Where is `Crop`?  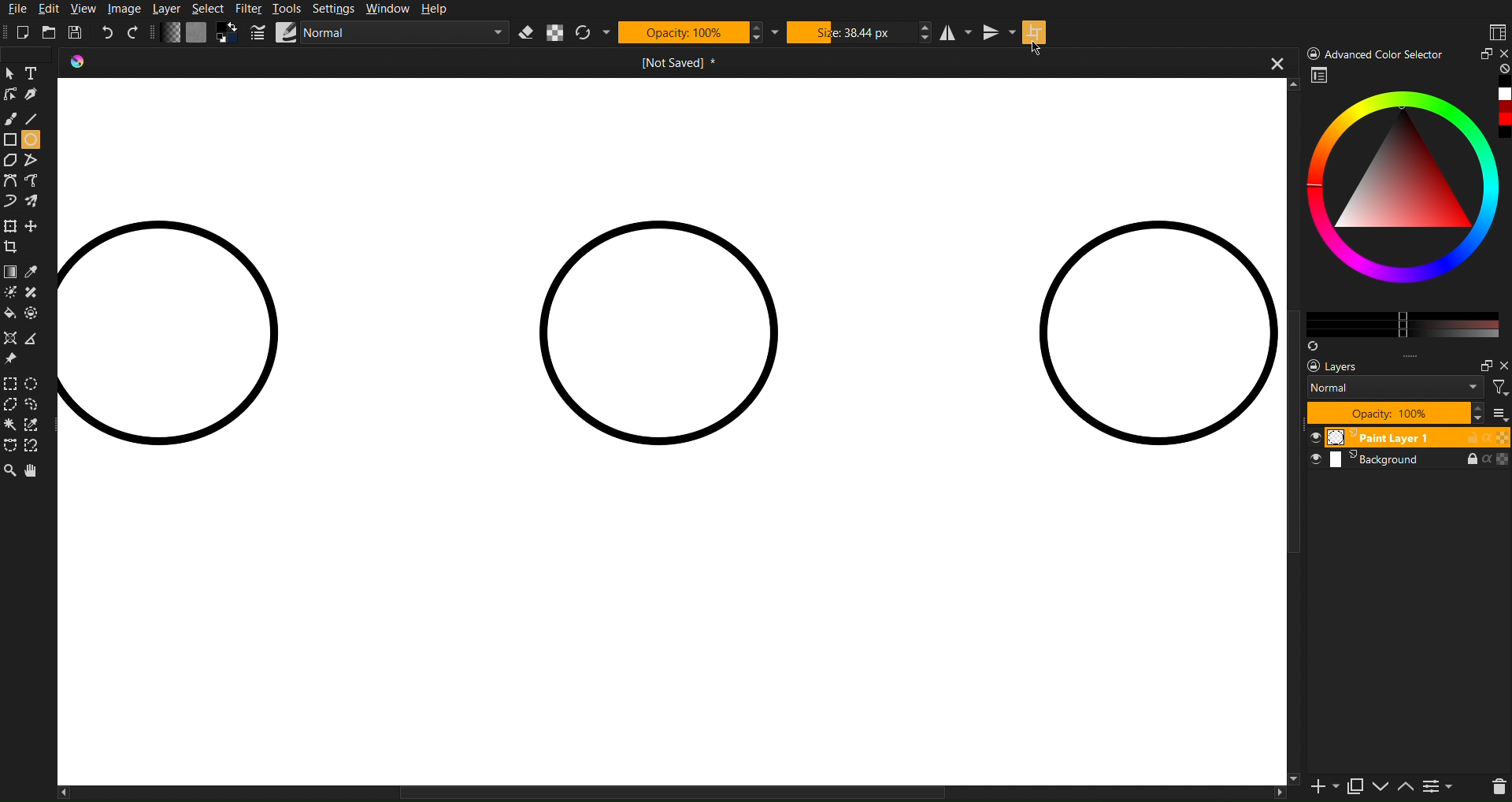
Crop is located at coordinates (9, 247).